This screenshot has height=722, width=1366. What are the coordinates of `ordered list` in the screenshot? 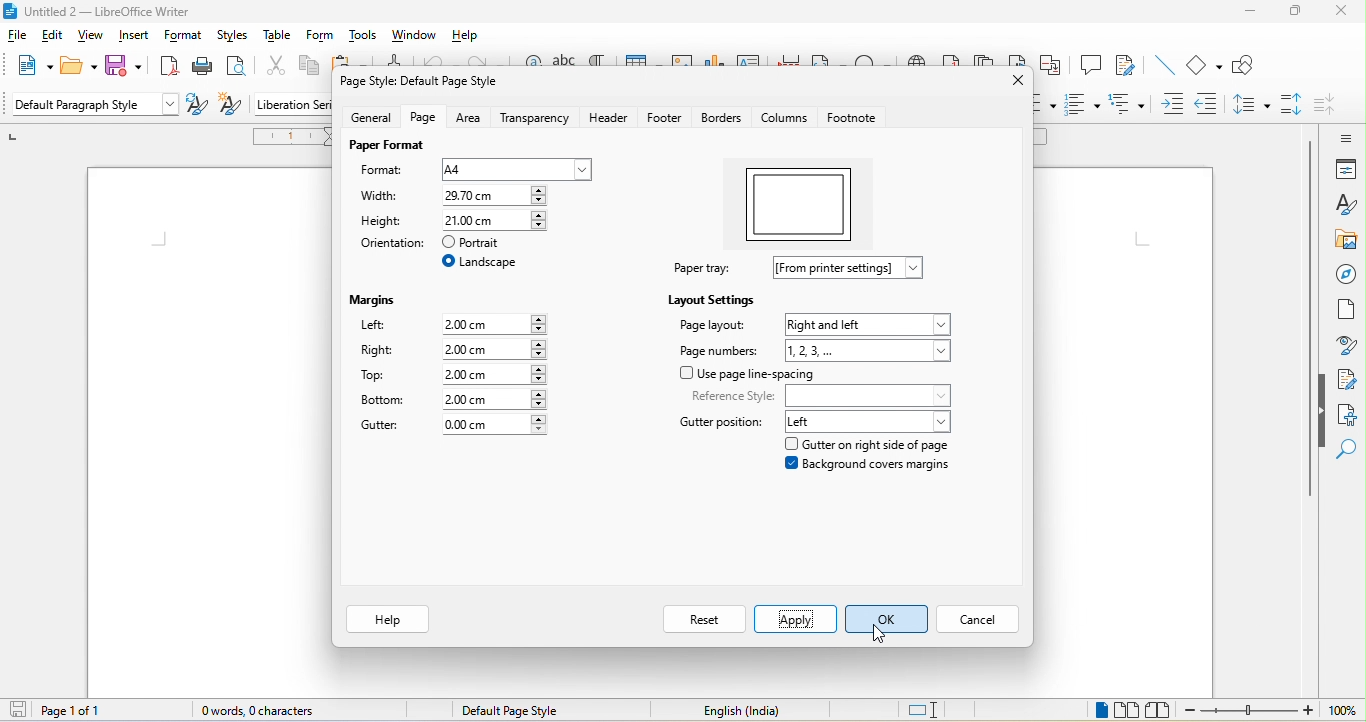 It's located at (1081, 106).